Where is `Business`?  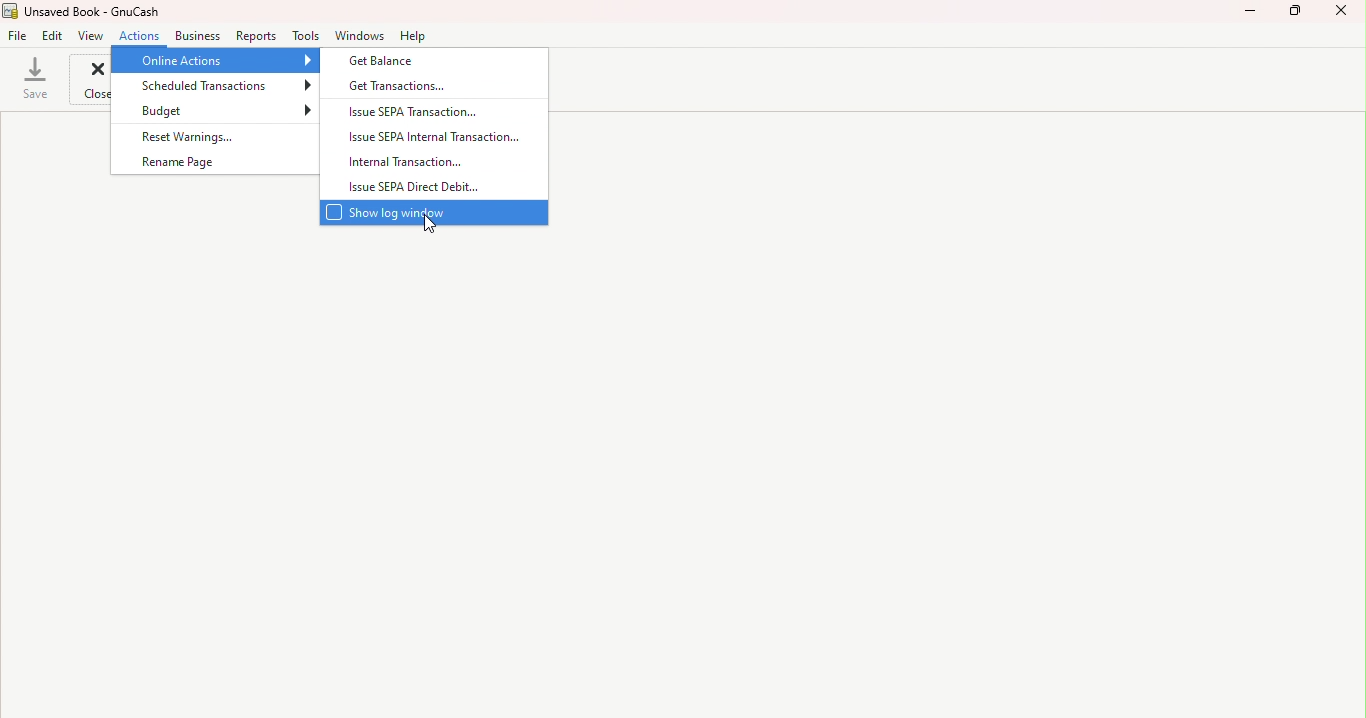
Business is located at coordinates (198, 35).